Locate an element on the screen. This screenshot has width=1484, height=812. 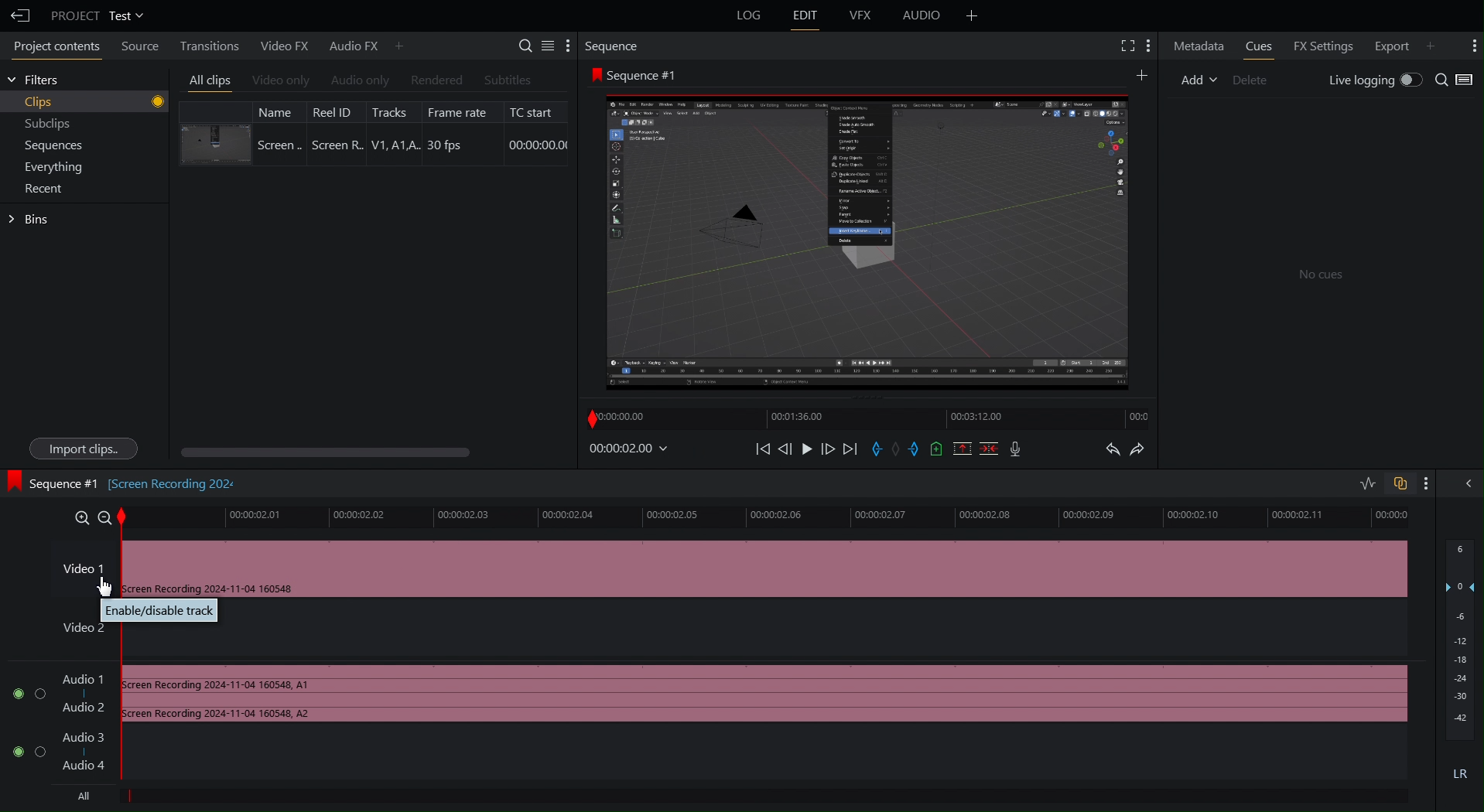
Export is located at coordinates (1400, 46).